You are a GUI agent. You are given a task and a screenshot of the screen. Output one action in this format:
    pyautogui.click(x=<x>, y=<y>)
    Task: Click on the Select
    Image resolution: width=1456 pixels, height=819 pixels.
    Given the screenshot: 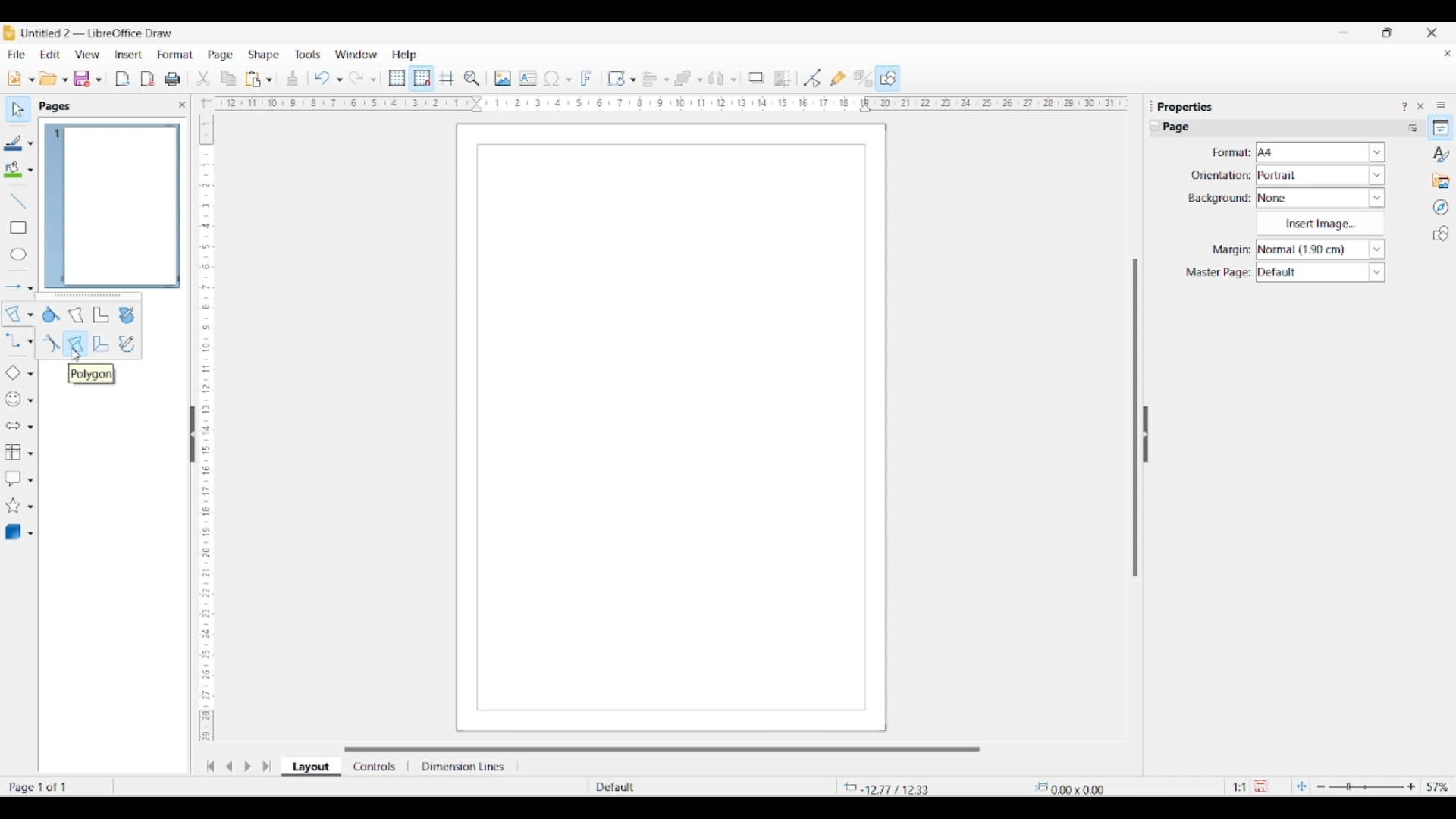 What is the action you would take?
    pyautogui.click(x=18, y=109)
    